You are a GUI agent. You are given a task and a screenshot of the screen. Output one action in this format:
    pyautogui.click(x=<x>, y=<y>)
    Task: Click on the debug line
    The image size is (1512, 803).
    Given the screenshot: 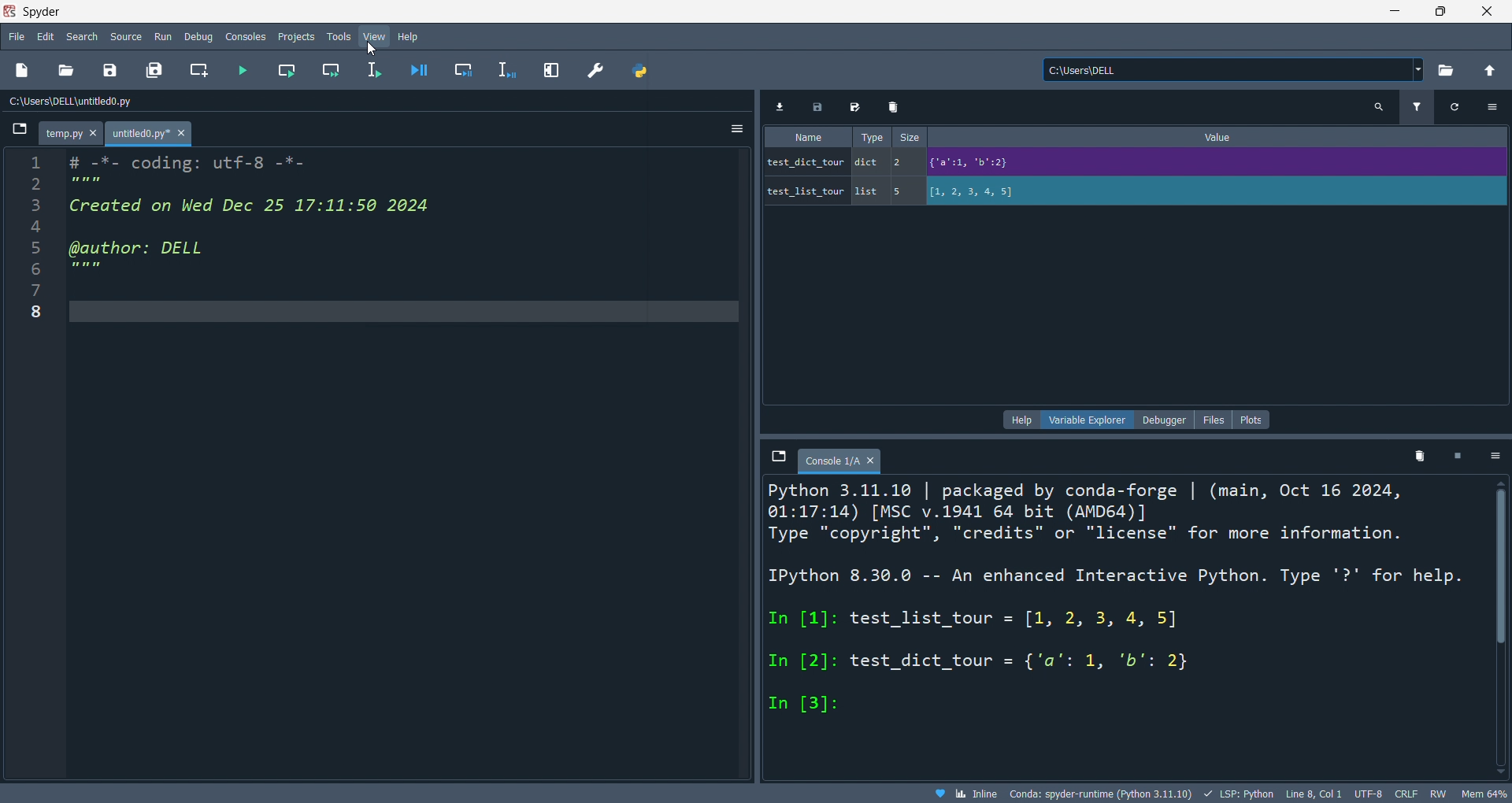 What is the action you would take?
    pyautogui.click(x=509, y=70)
    